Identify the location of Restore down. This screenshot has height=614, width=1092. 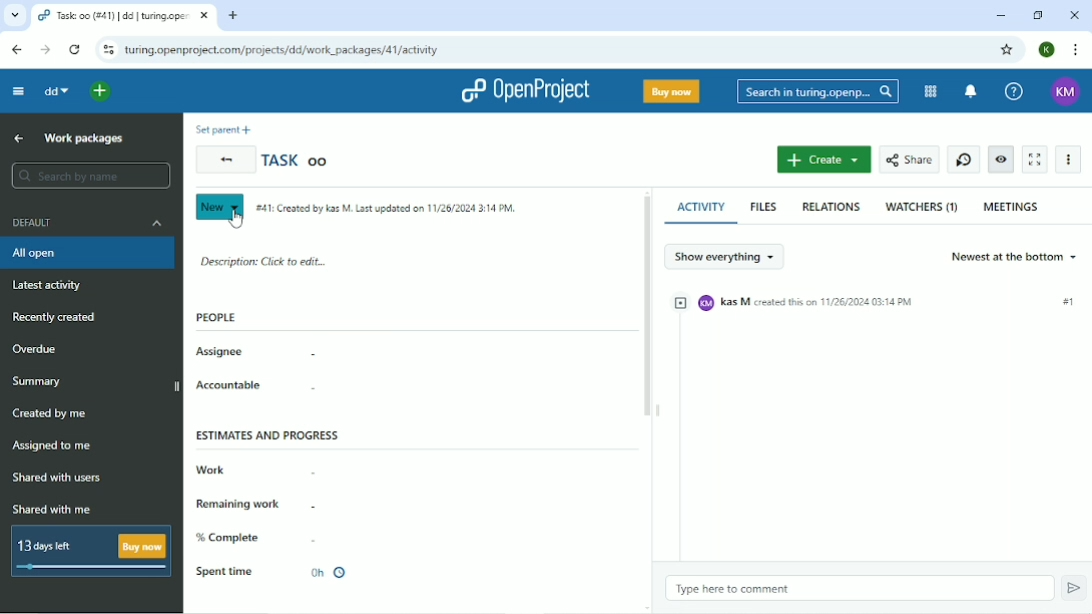
(1039, 17).